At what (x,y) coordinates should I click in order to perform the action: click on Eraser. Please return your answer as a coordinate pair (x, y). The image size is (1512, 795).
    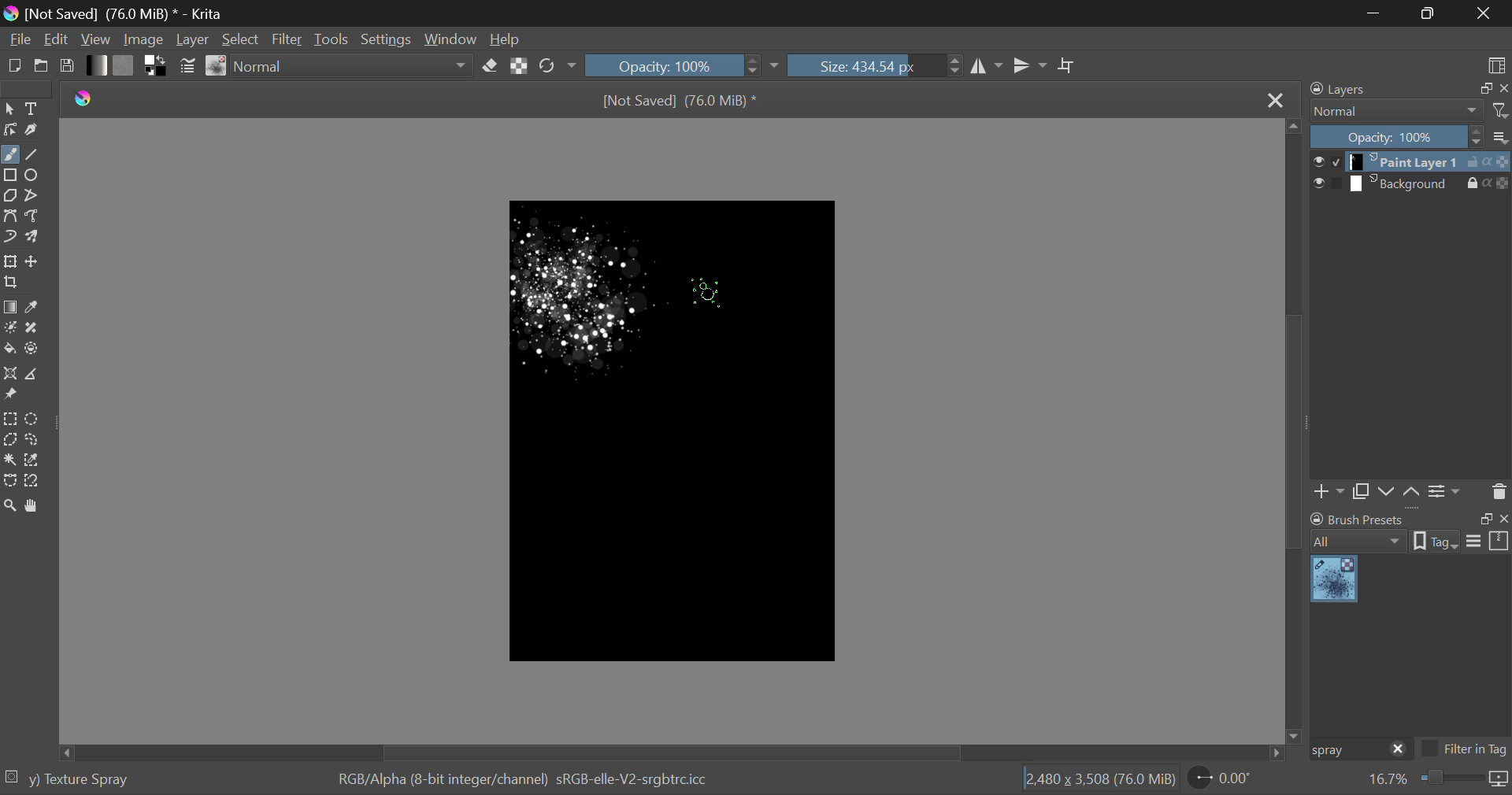
    Looking at the image, I should click on (490, 66).